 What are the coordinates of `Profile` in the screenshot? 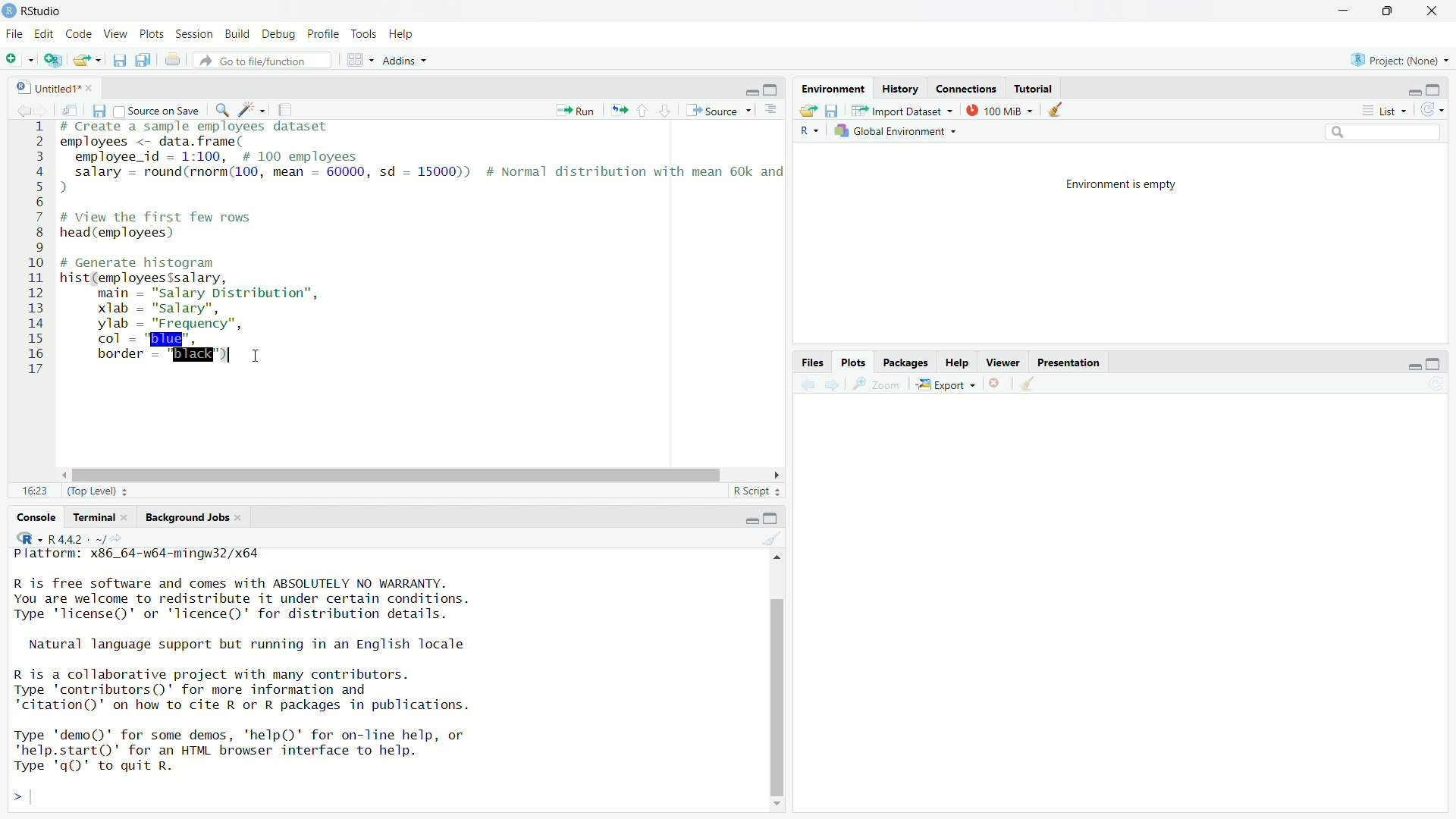 It's located at (325, 33).